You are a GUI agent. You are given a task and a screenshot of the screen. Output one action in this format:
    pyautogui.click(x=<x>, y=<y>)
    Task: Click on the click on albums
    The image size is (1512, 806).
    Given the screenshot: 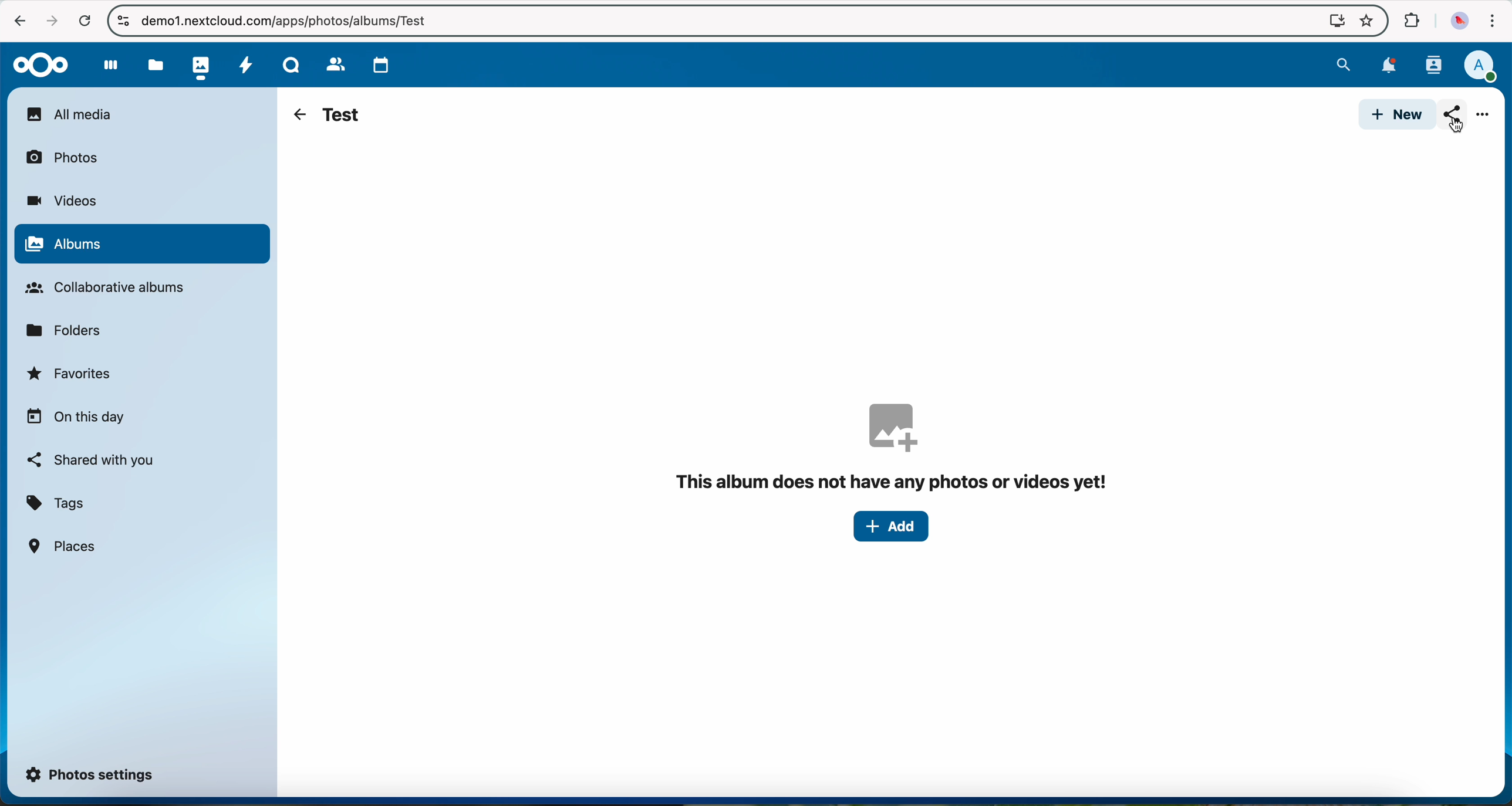 What is the action you would take?
    pyautogui.click(x=141, y=245)
    